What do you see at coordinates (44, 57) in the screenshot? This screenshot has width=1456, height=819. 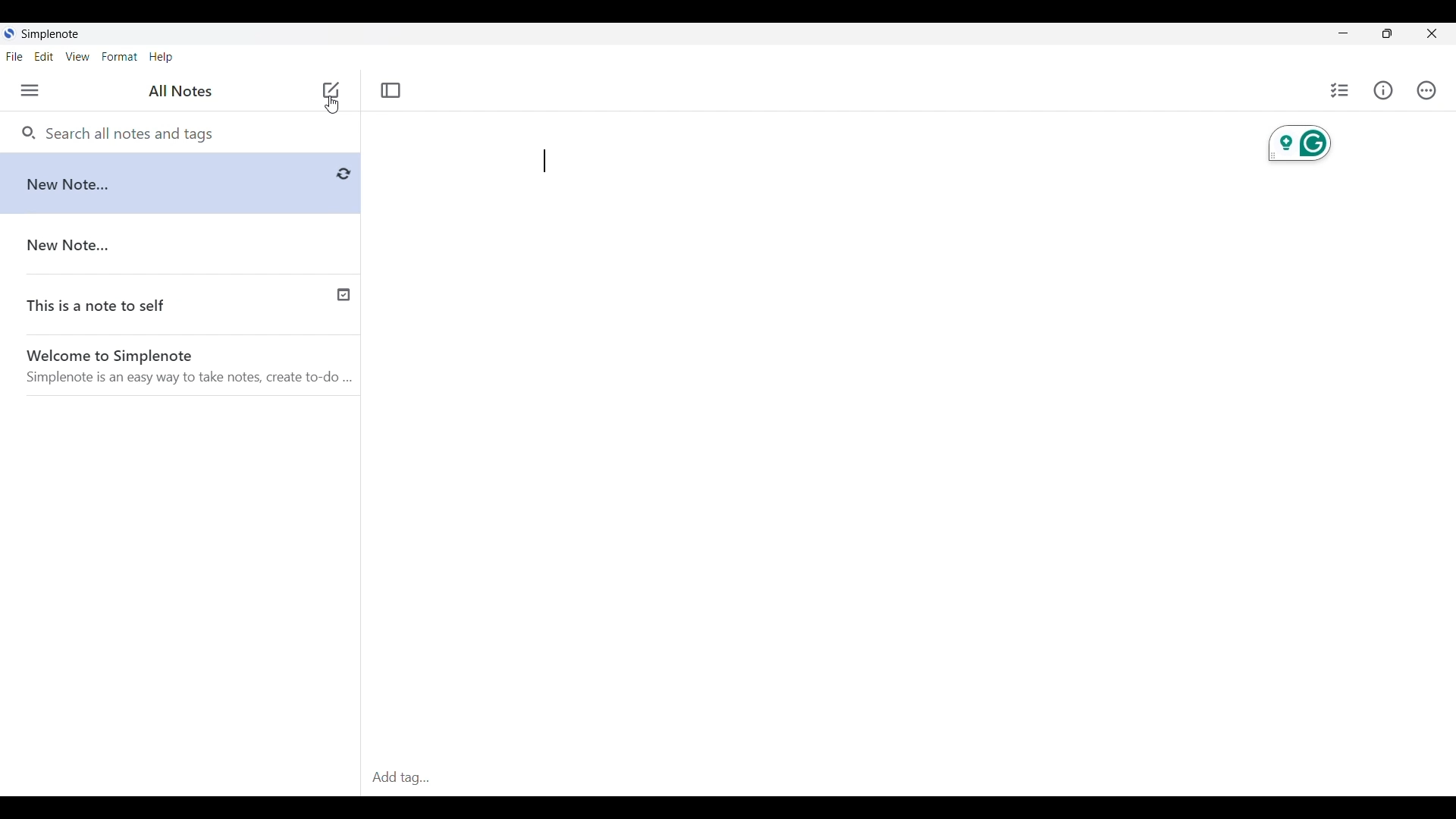 I see `Edit menu` at bounding box center [44, 57].